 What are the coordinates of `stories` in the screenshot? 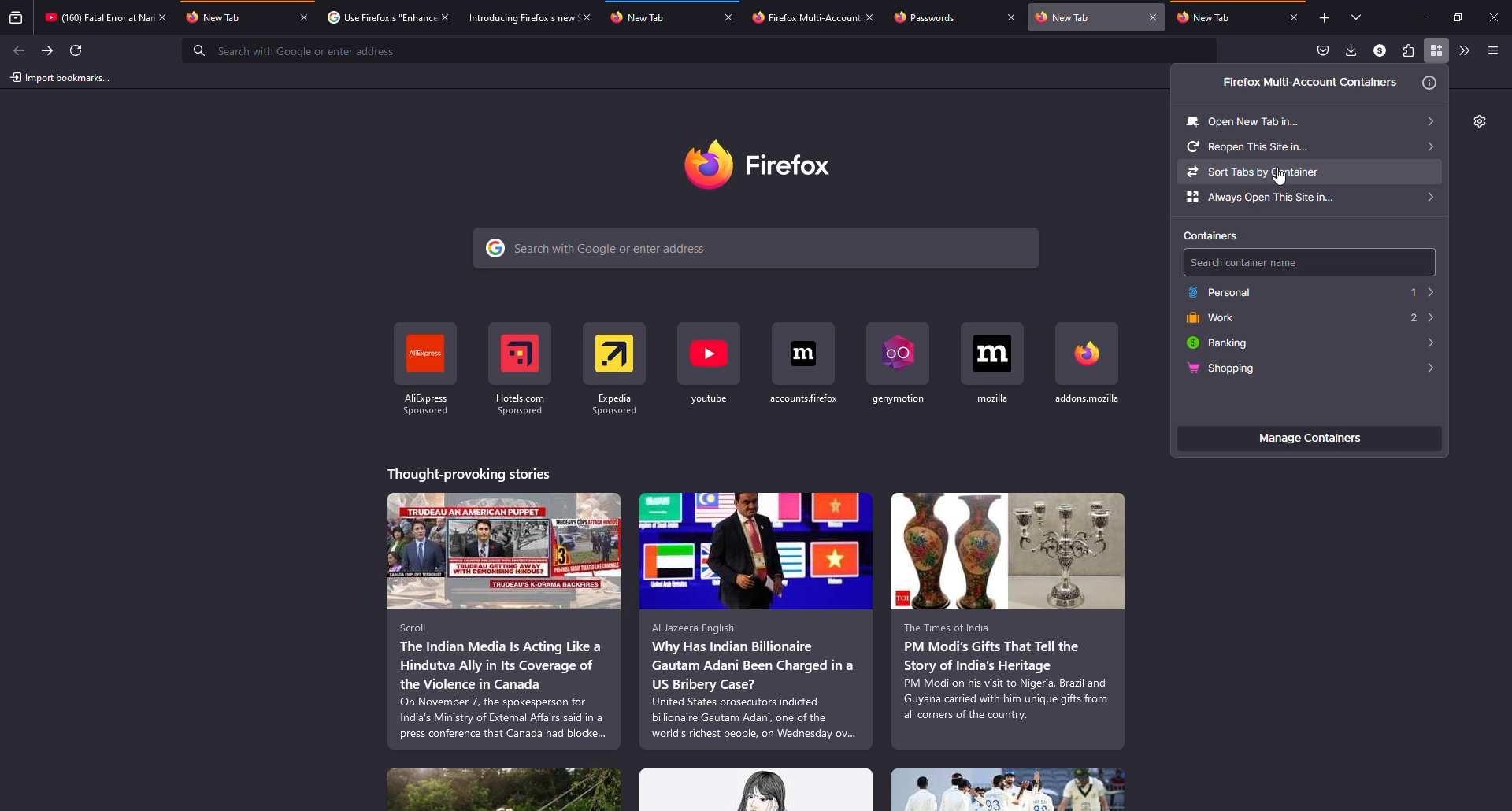 It's located at (504, 621).